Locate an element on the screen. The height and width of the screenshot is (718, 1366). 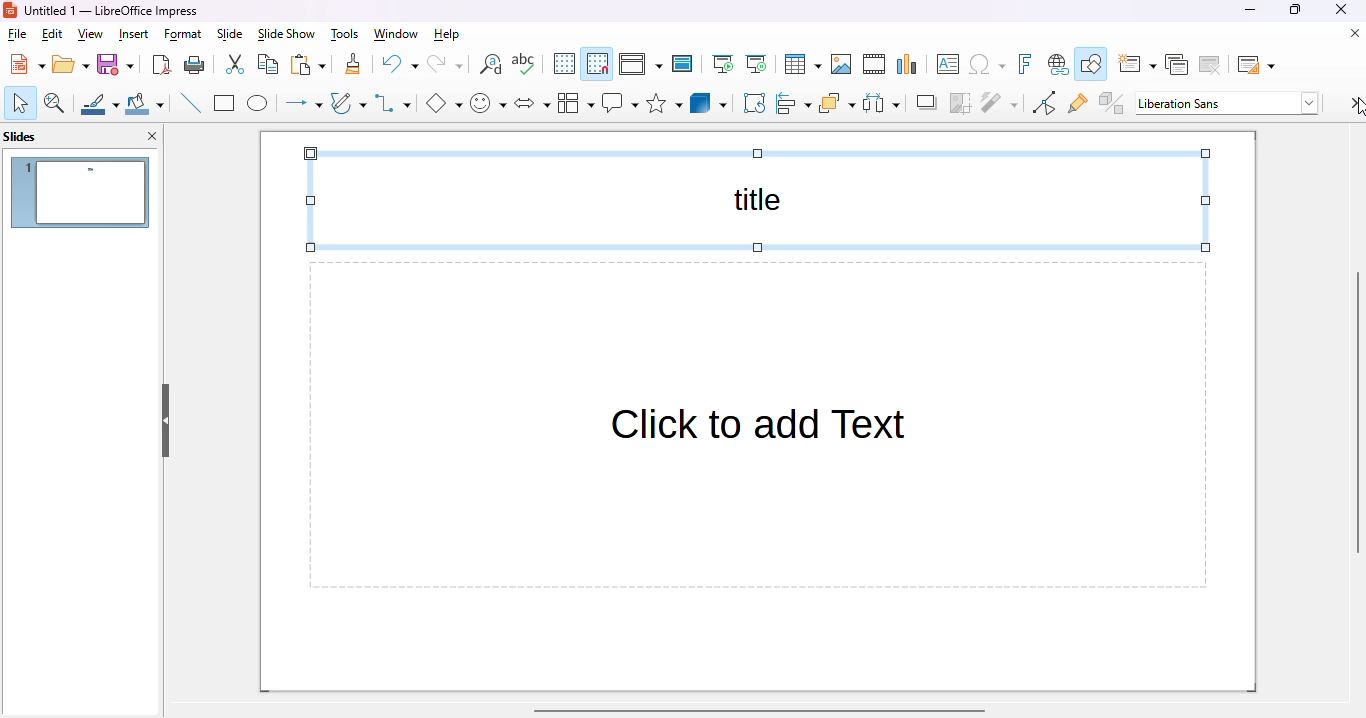
redo is located at coordinates (445, 64).